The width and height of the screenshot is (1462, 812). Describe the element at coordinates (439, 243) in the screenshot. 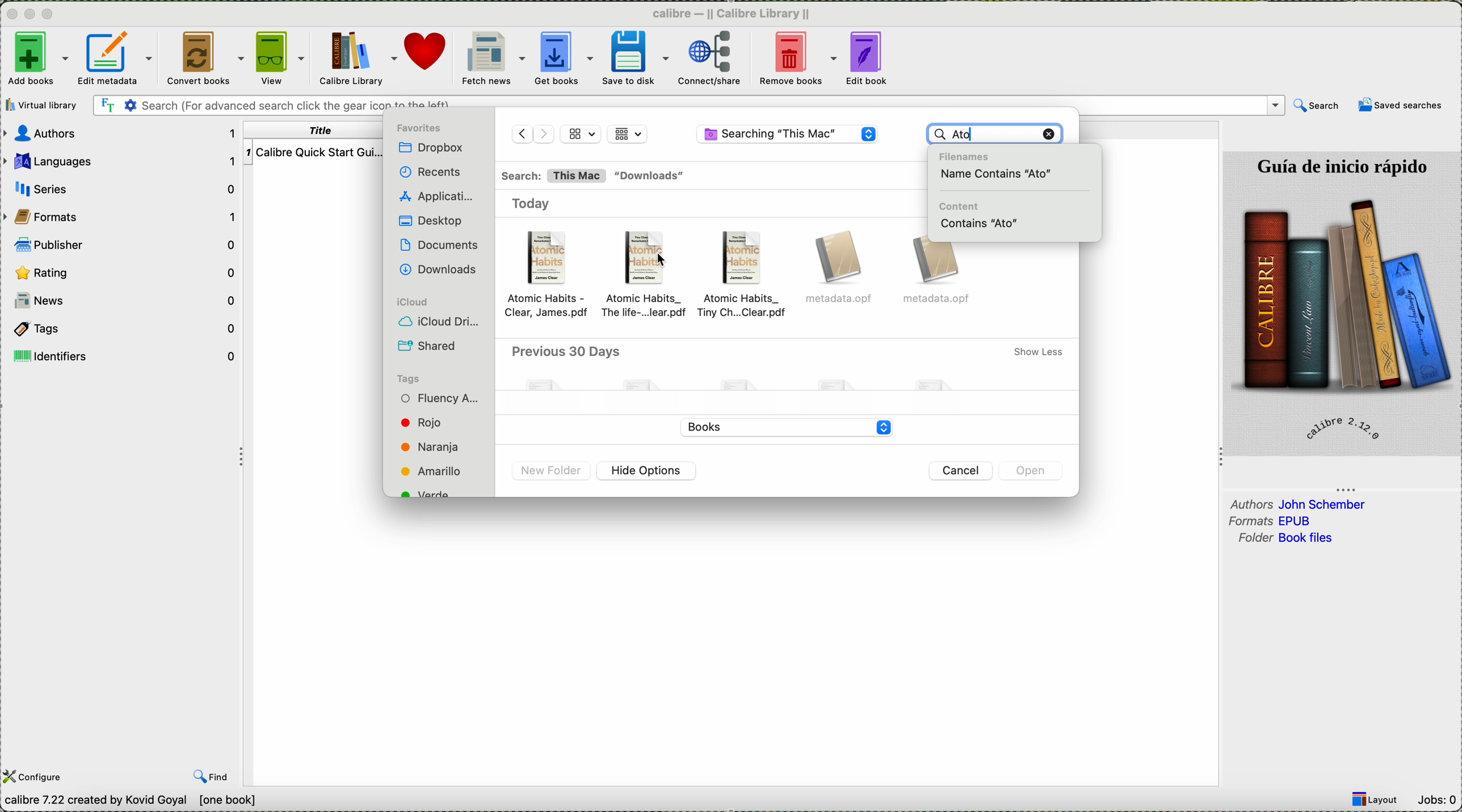

I see `documents` at that location.